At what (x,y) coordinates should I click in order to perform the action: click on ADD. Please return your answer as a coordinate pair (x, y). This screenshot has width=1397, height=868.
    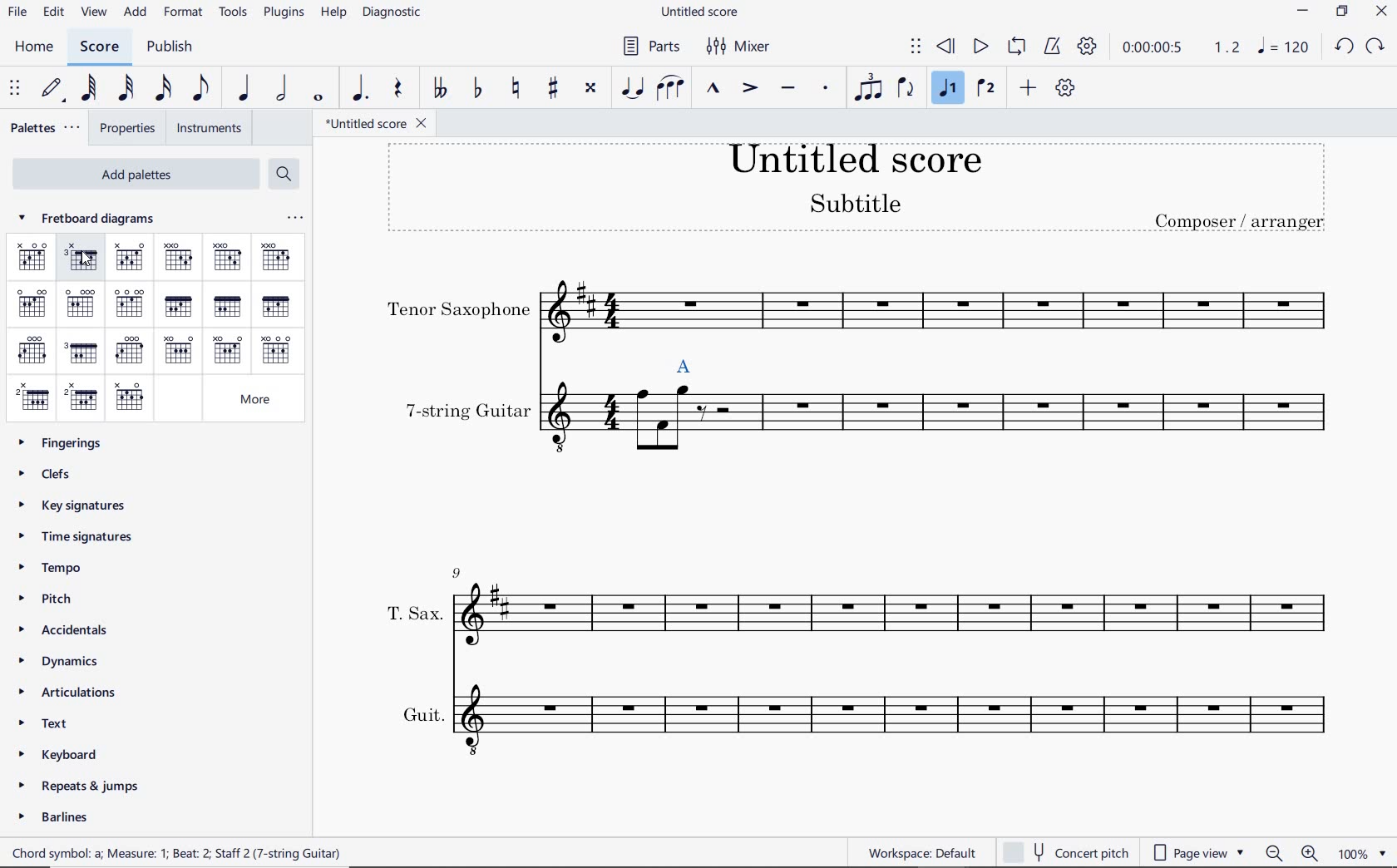
    Looking at the image, I should click on (136, 12).